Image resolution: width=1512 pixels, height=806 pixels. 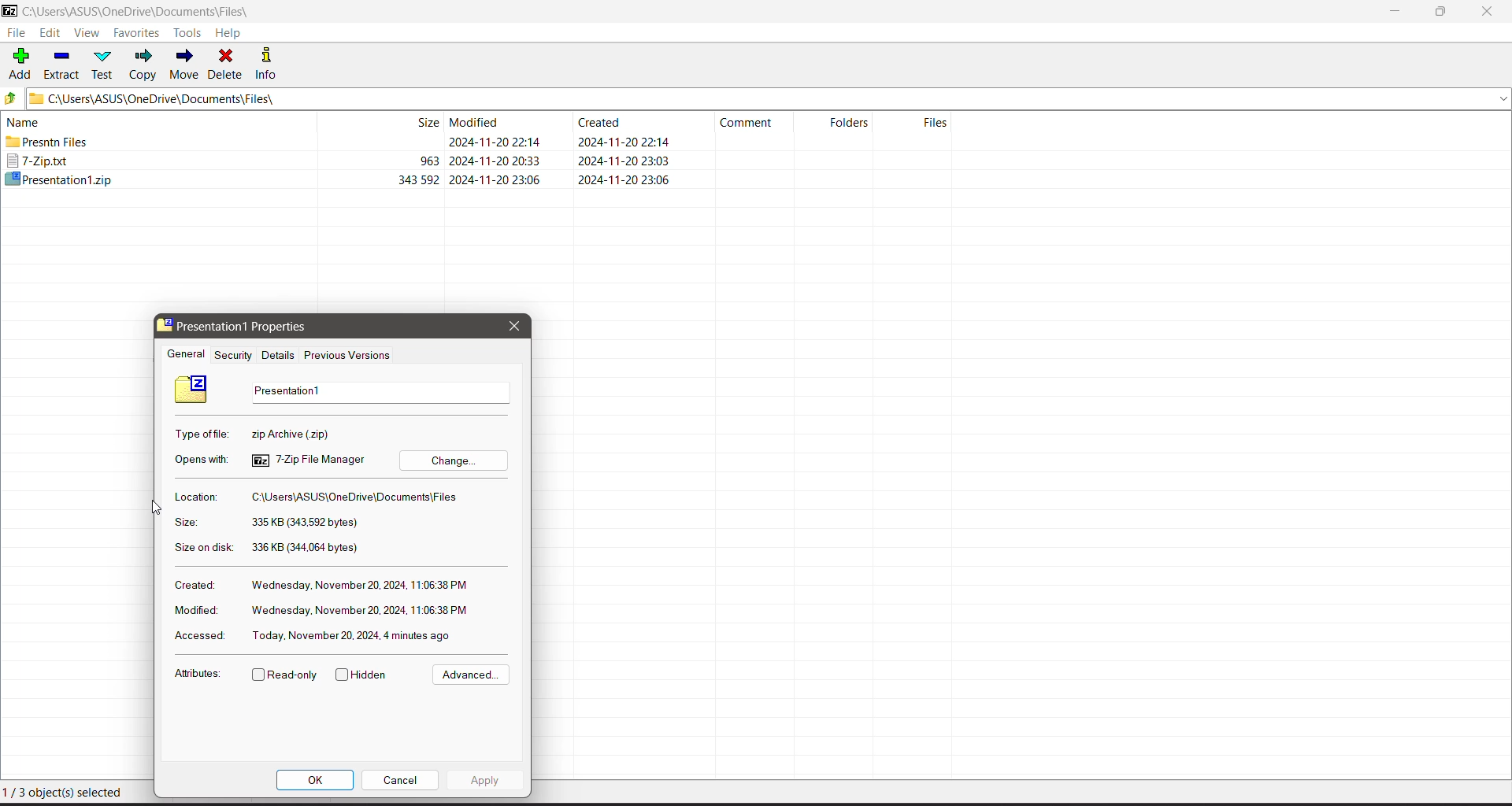 I want to click on Modified Day, Date, Year and time, so click(x=358, y=610).